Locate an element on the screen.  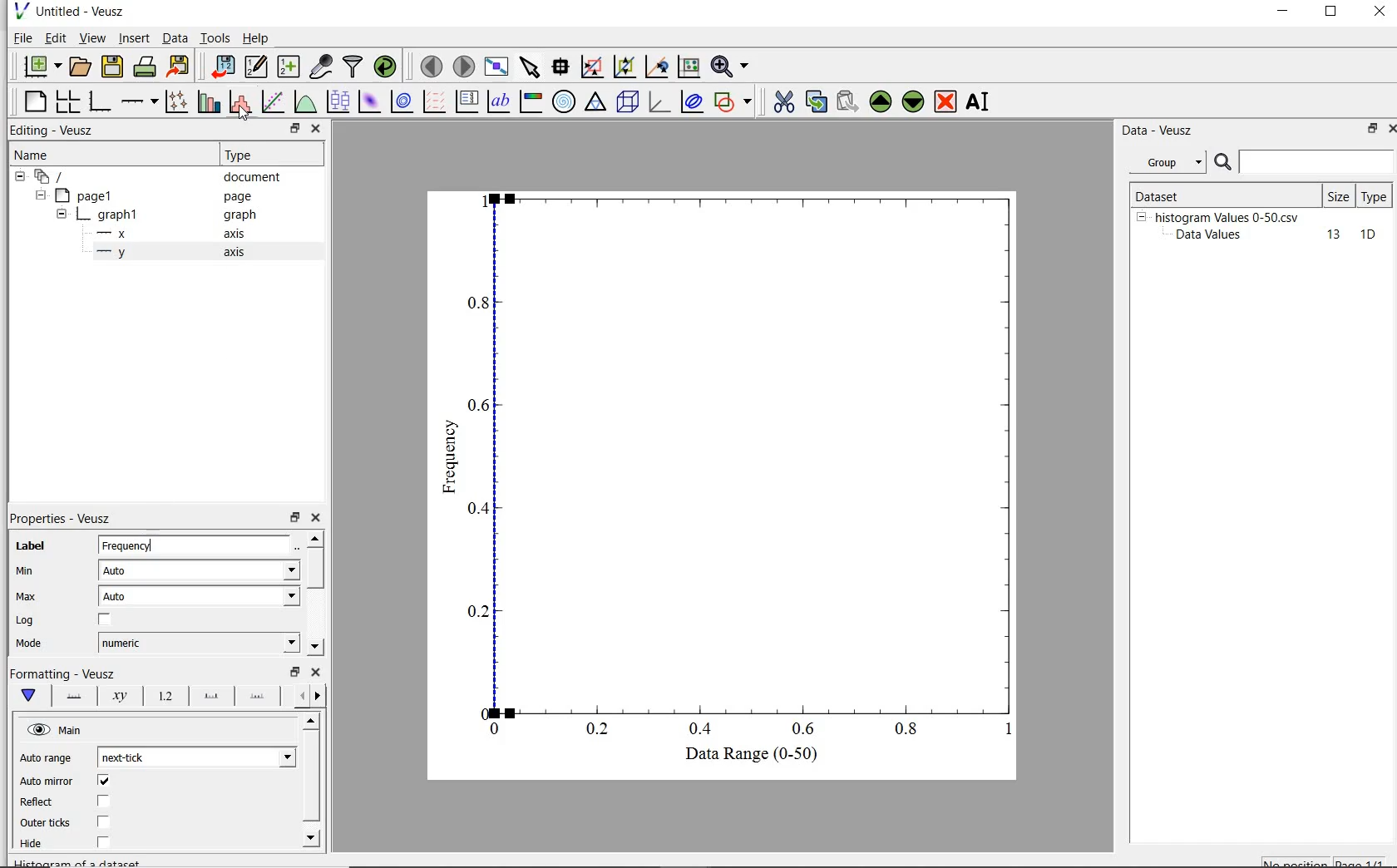
edit is located at coordinates (56, 37).